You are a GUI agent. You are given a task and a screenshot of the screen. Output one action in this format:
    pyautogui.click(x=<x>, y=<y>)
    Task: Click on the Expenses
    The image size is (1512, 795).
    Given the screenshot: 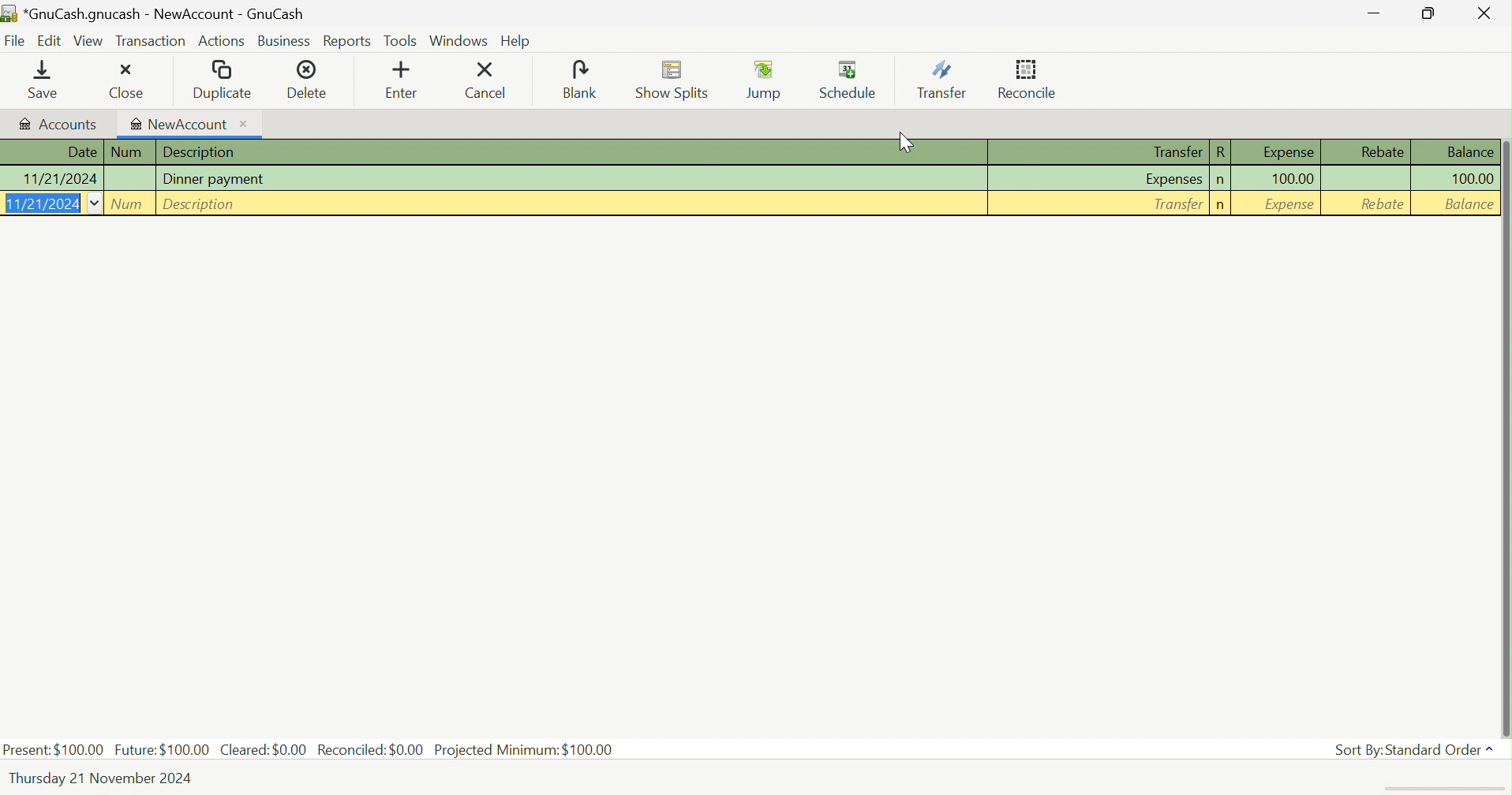 What is the action you would take?
    pyautogui.click(x=1174, y=178)
    